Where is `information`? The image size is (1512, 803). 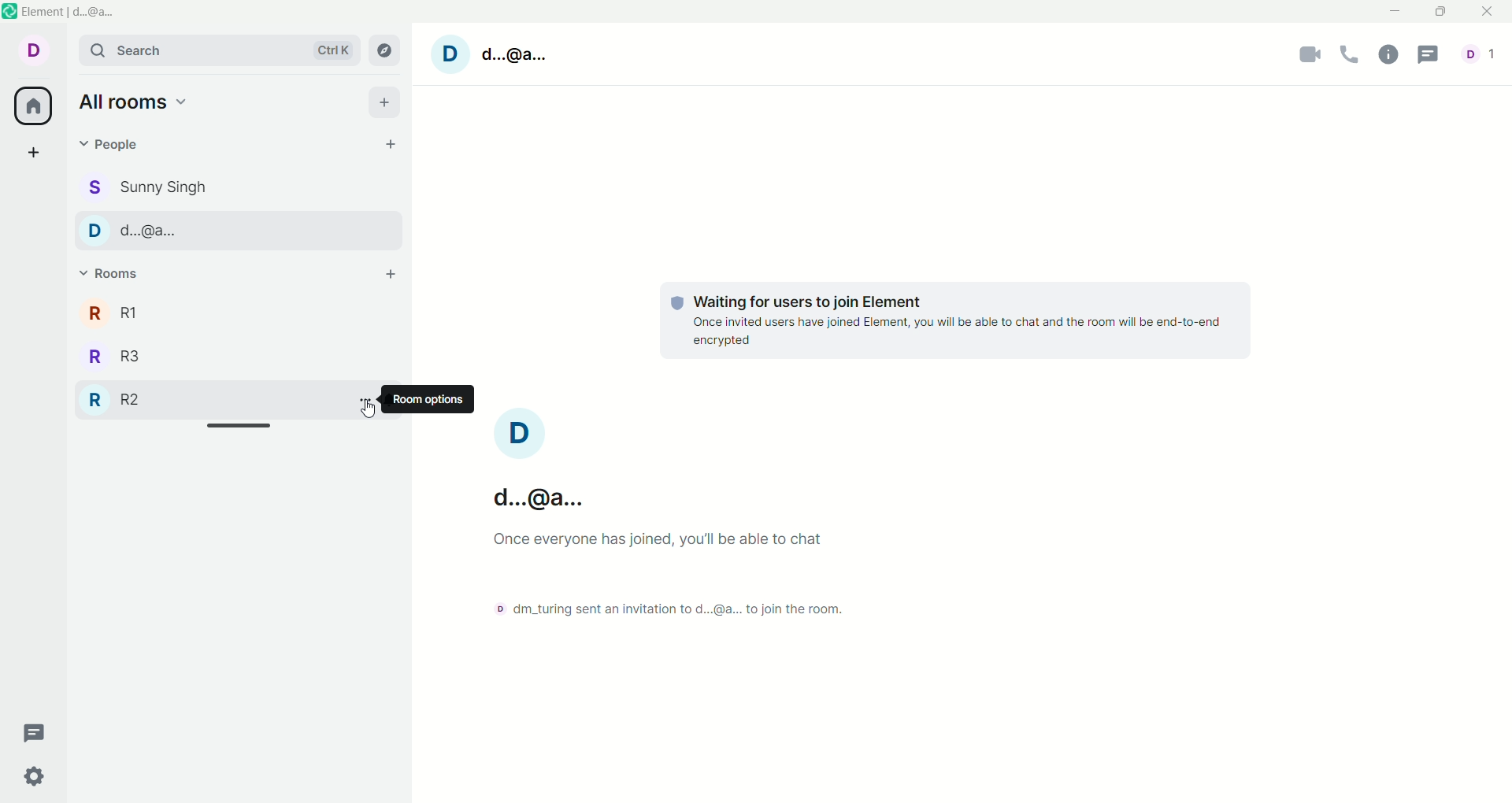
information is located at coordinates (1388, 56).